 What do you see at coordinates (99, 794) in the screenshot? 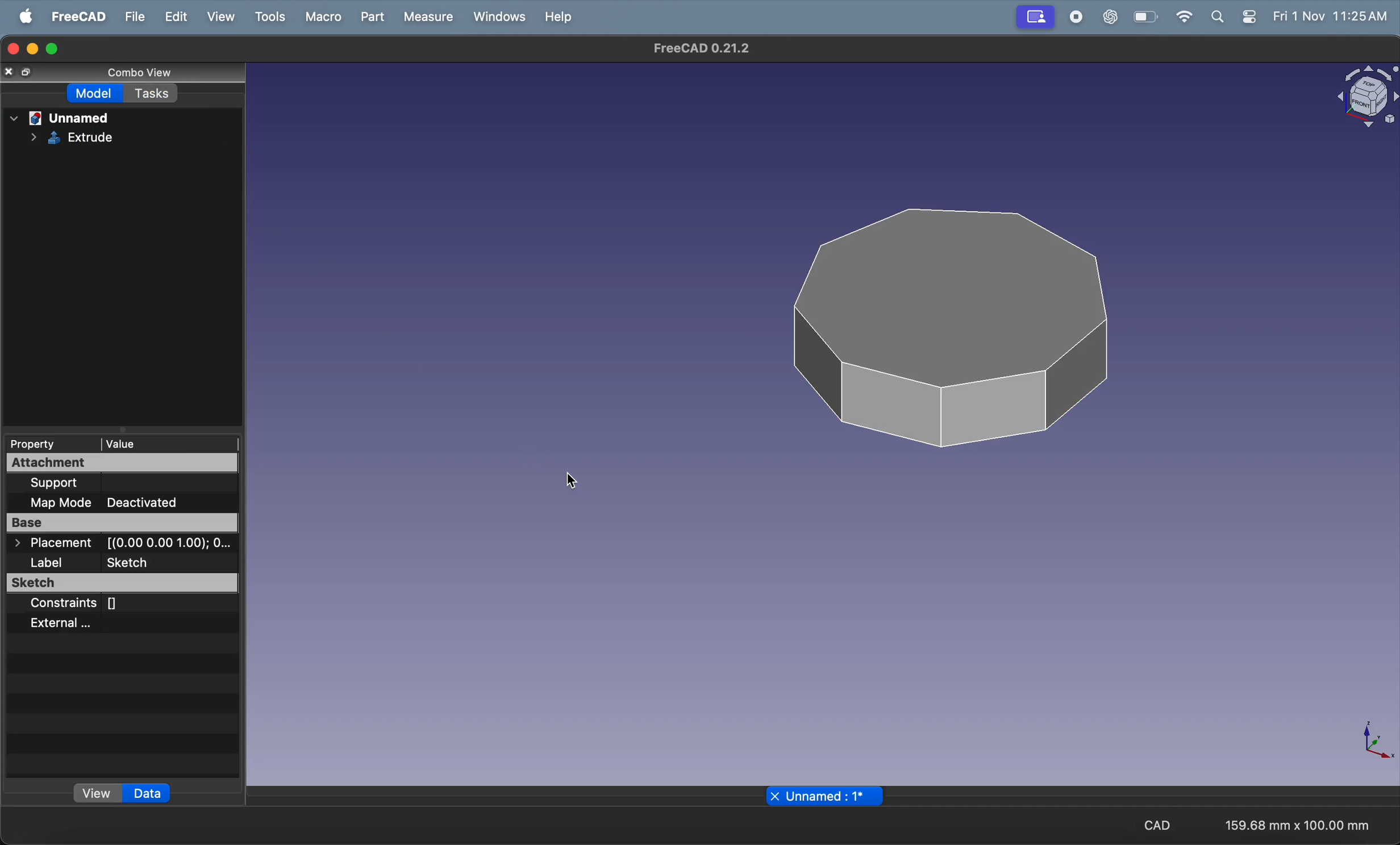
I see `view` at bounding box center [99, 794].